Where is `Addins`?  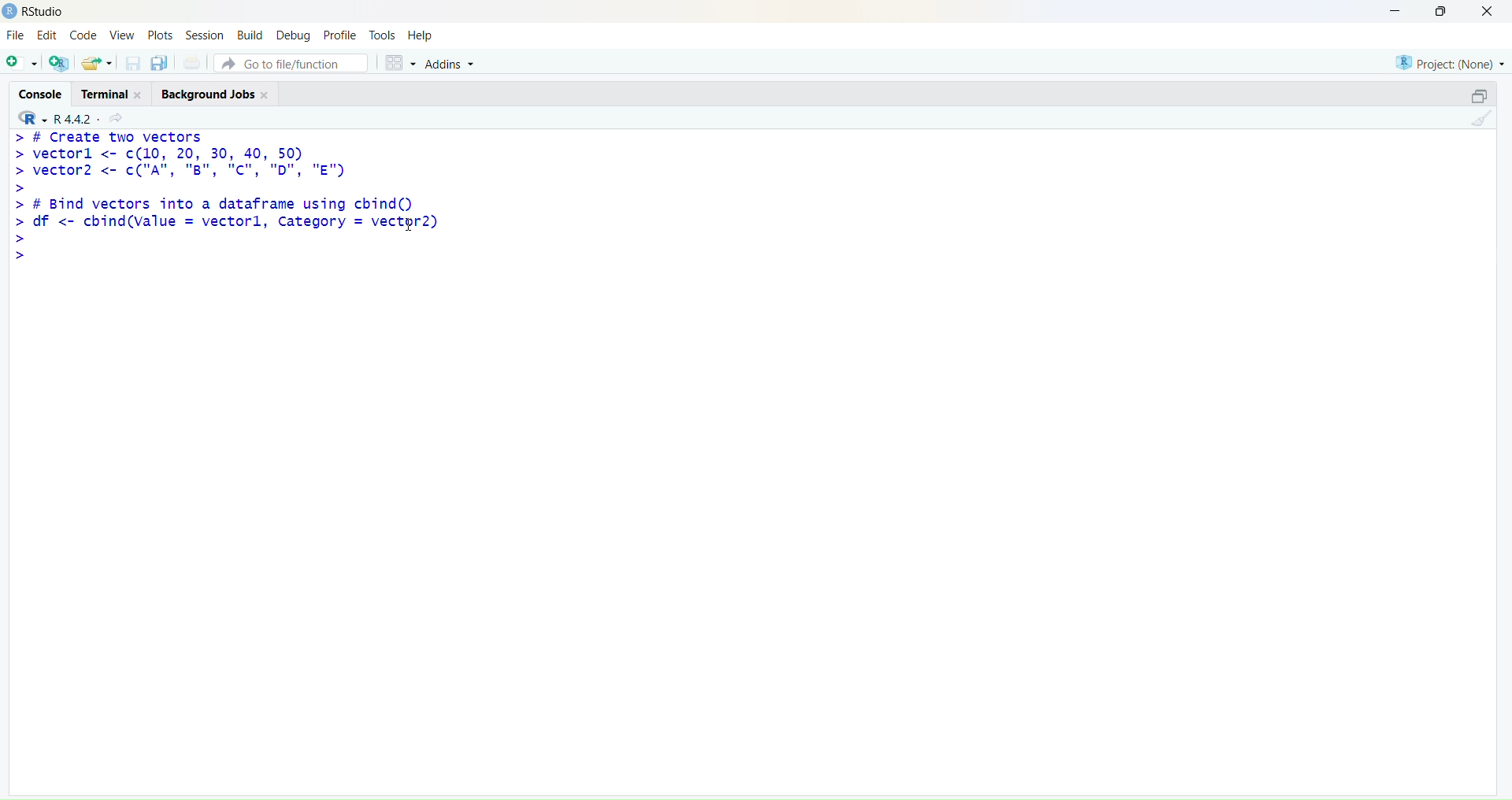
Addins is located at coordinates (449, 64).